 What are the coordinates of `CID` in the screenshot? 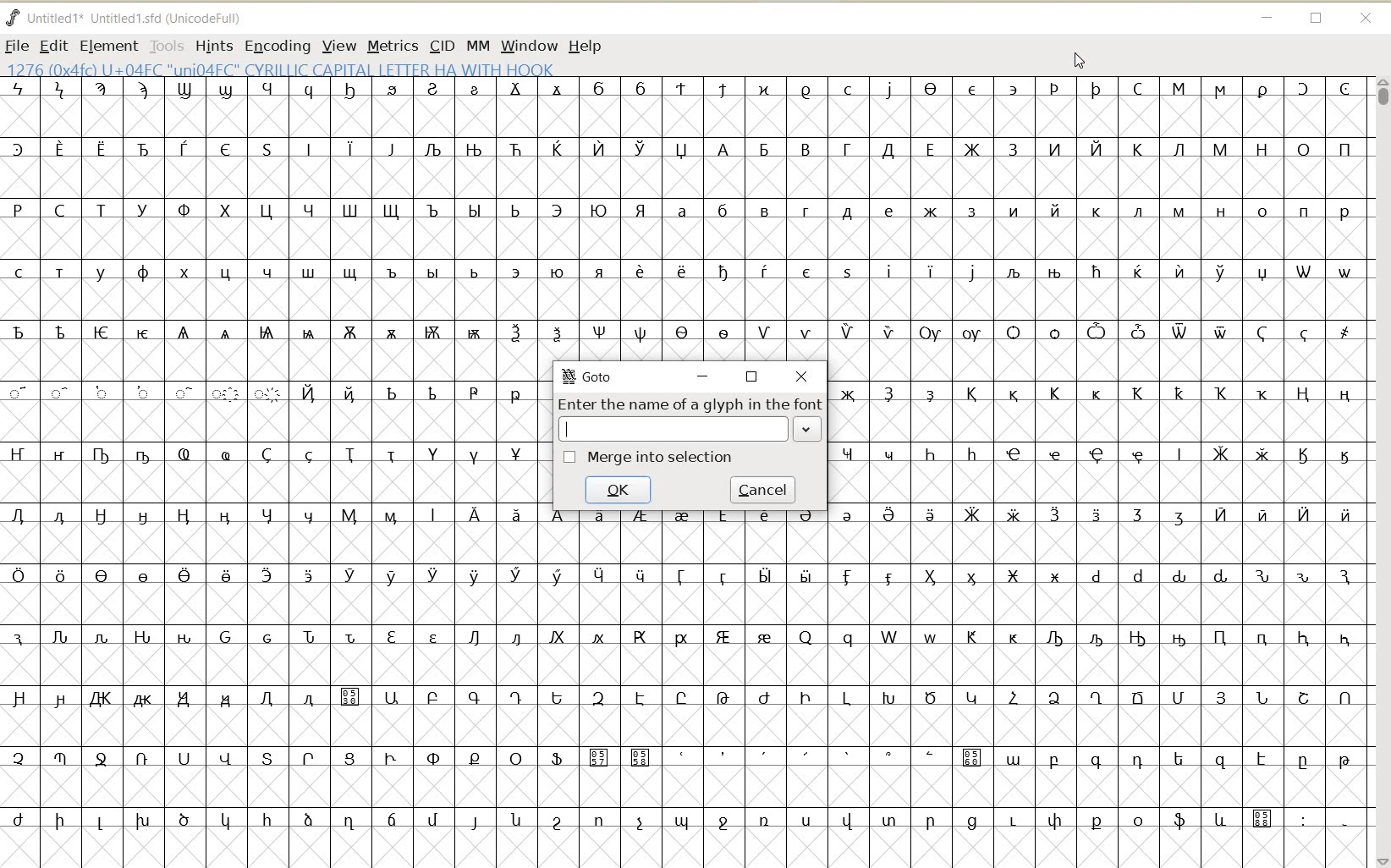 It's located at (443, 45).